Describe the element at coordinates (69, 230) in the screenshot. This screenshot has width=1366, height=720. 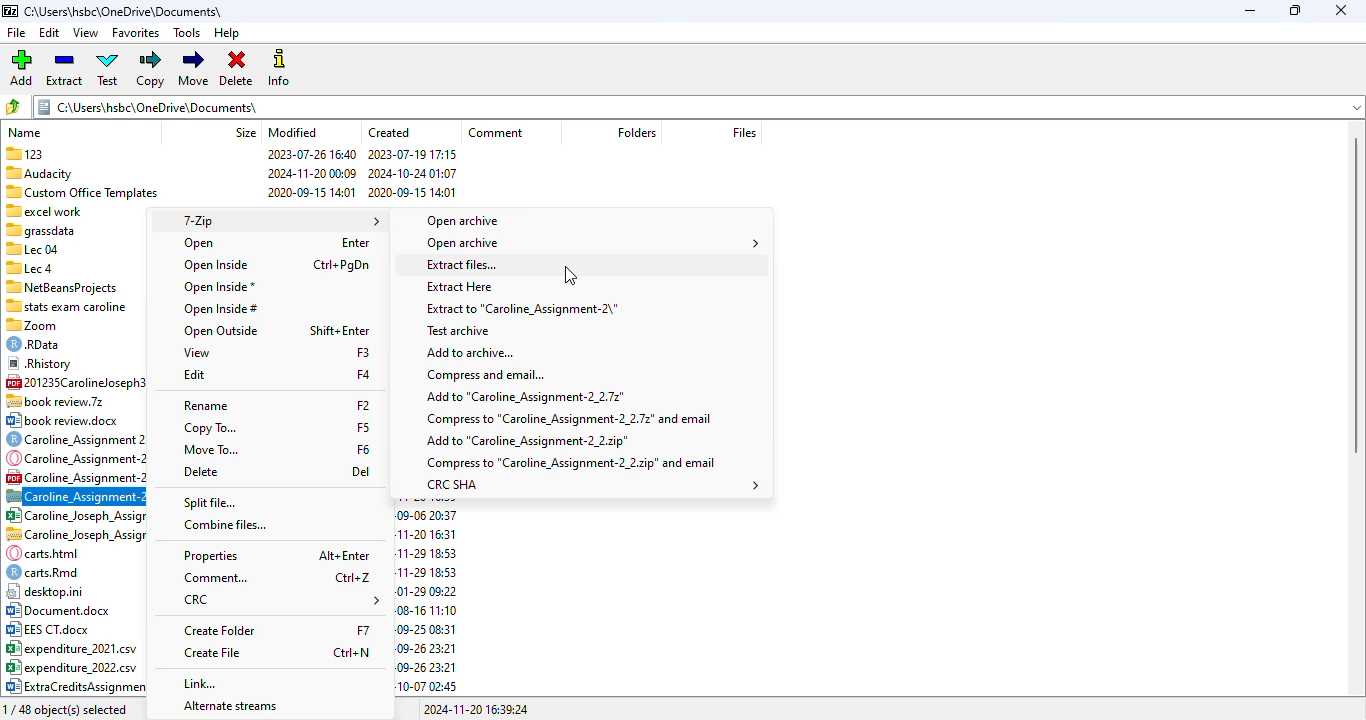
I see `= grassdata 2024-10-25 15:50 2024-10-25 15:48` at that location.